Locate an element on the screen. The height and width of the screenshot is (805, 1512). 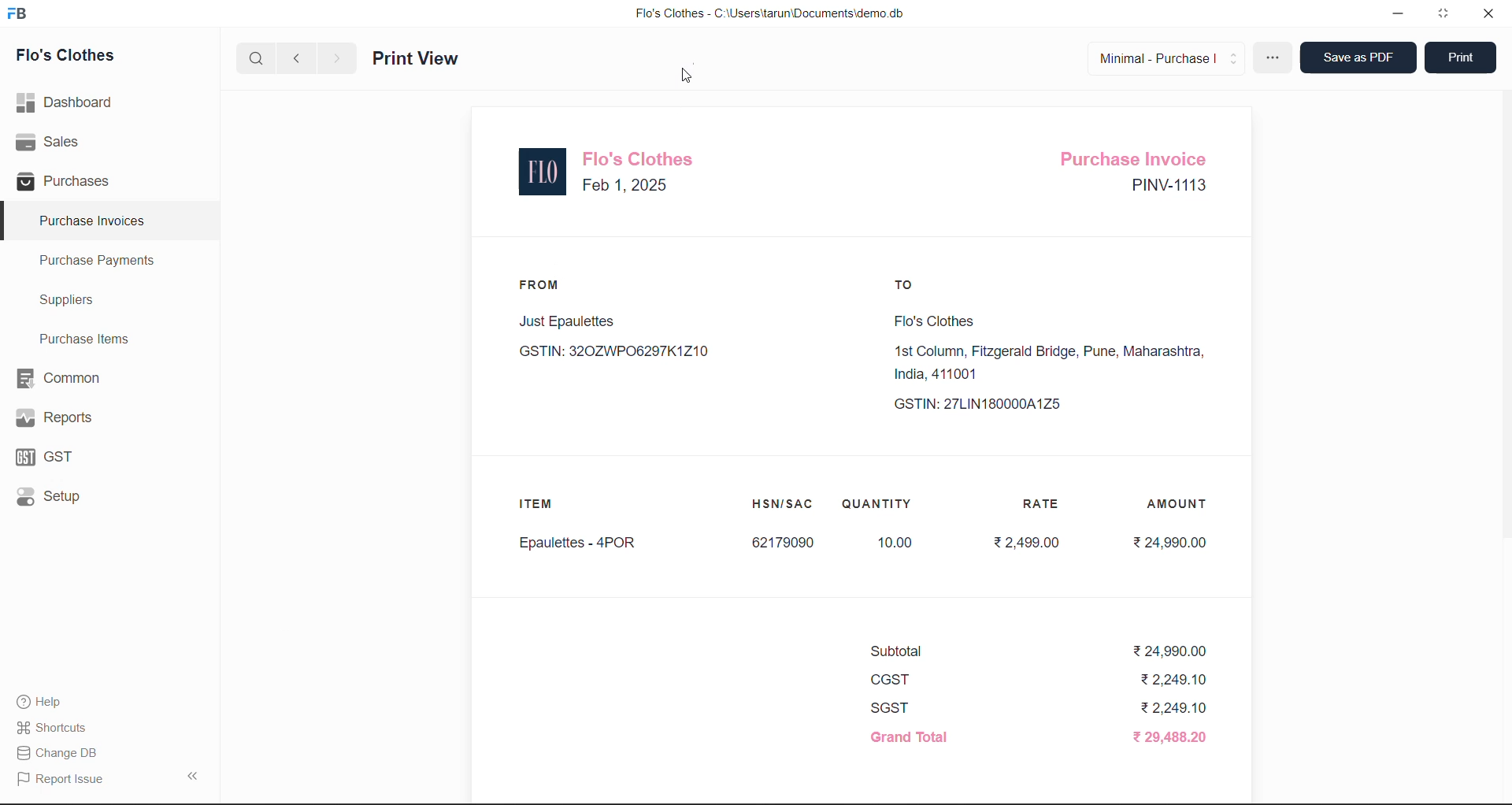
CGST ₹2,249.10 is located at coordinates (1040, 681).